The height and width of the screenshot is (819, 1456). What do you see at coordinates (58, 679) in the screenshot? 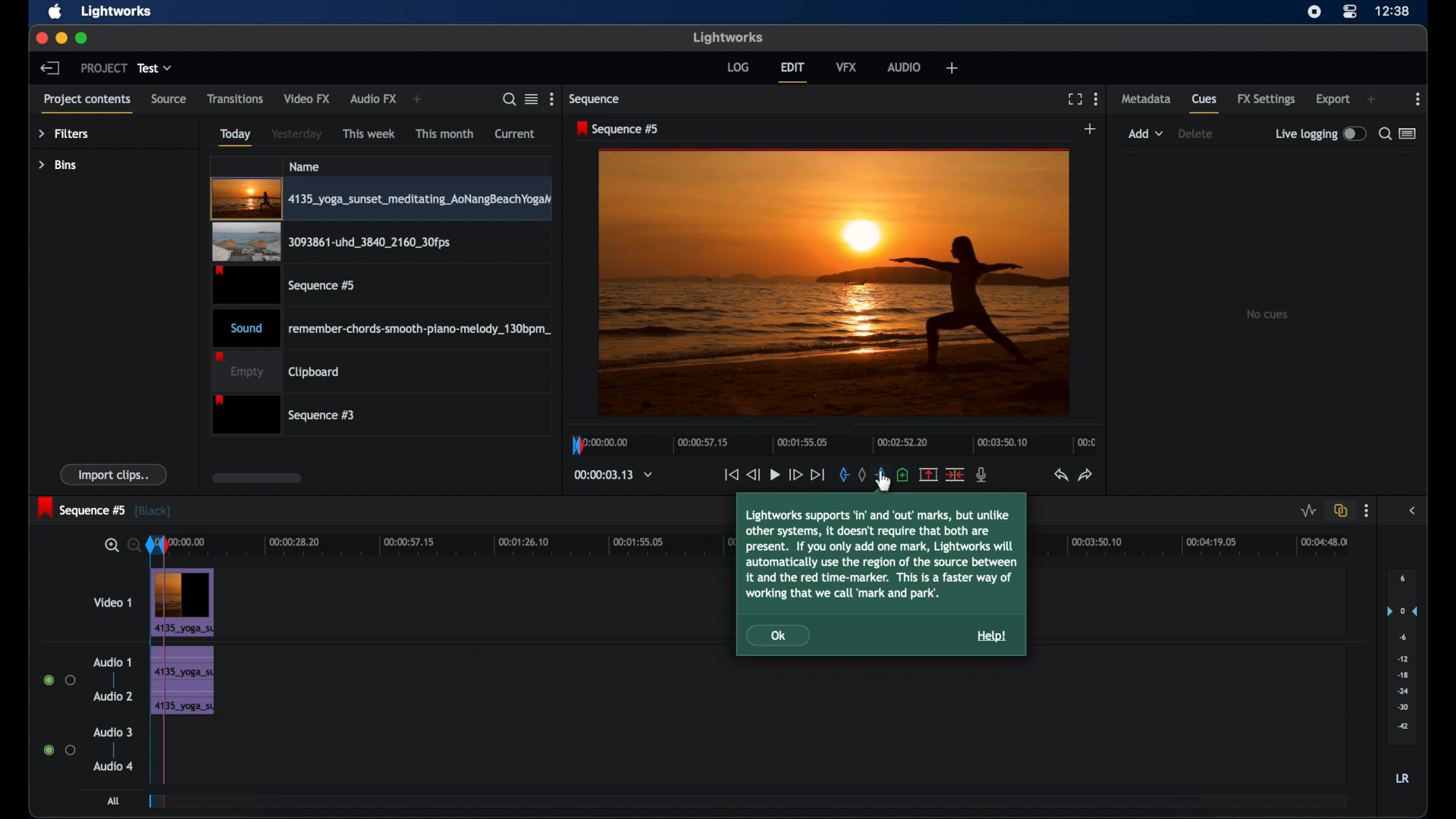
I see `radio button` at bounding box center [58, 679].